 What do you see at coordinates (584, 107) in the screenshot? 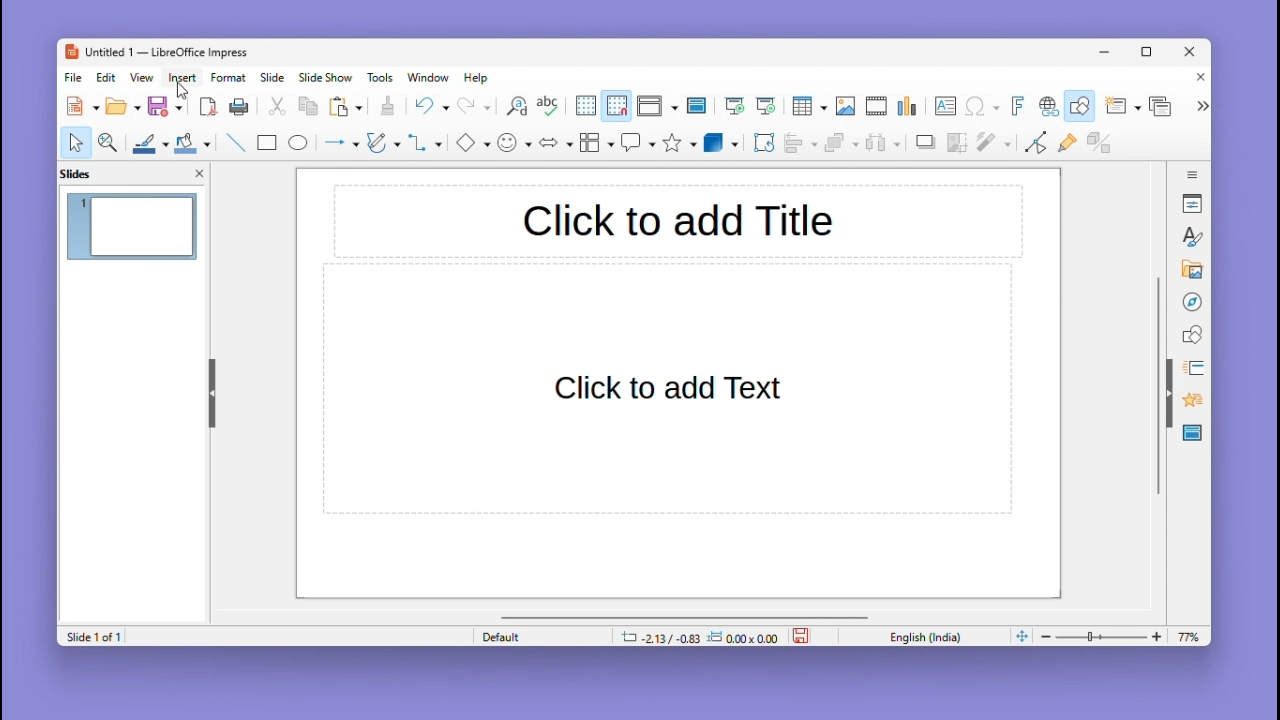
I see `display grid` at bounding box center [584, 107].